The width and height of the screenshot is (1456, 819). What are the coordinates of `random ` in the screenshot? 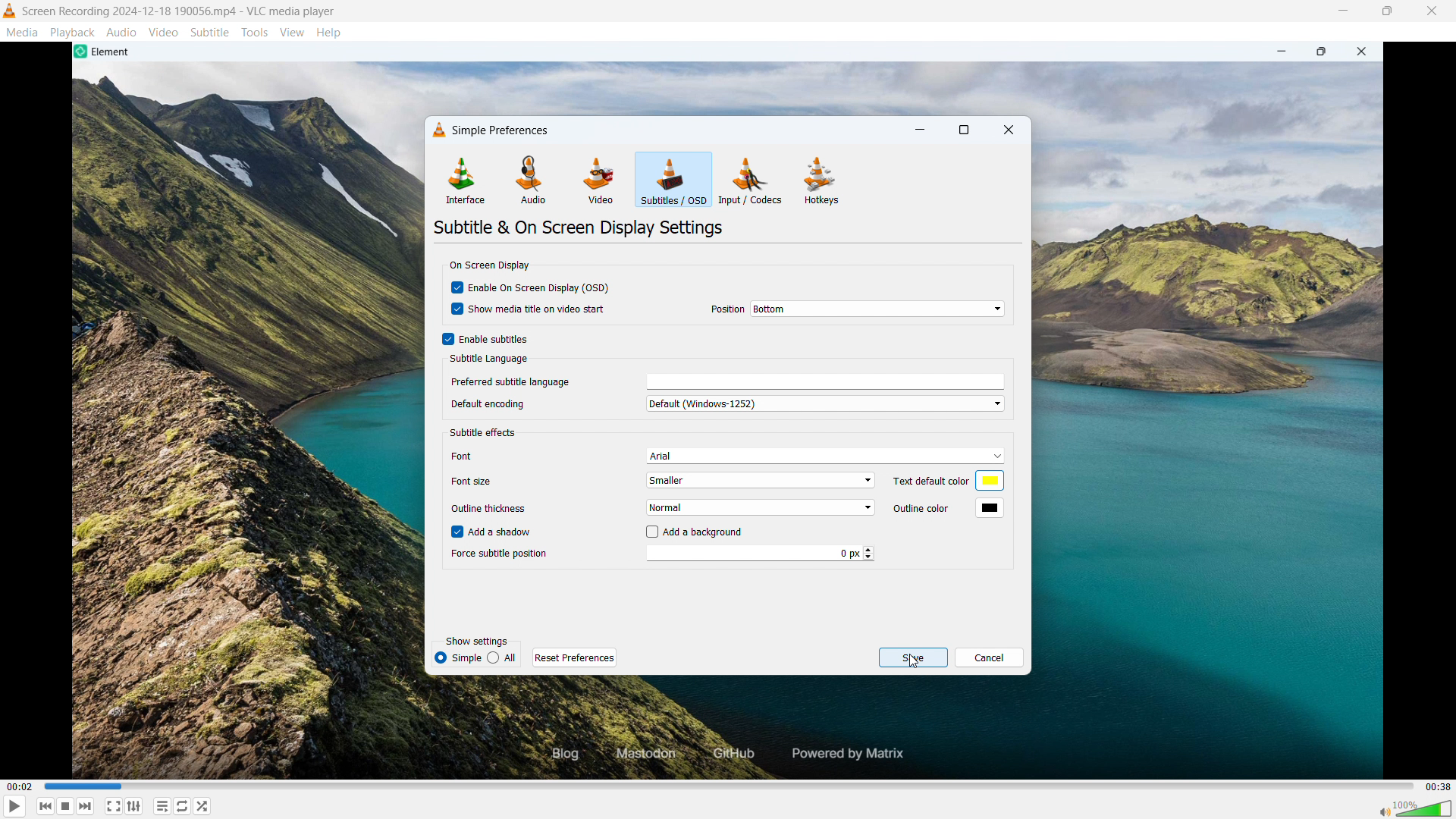 It's located at (203, 806).